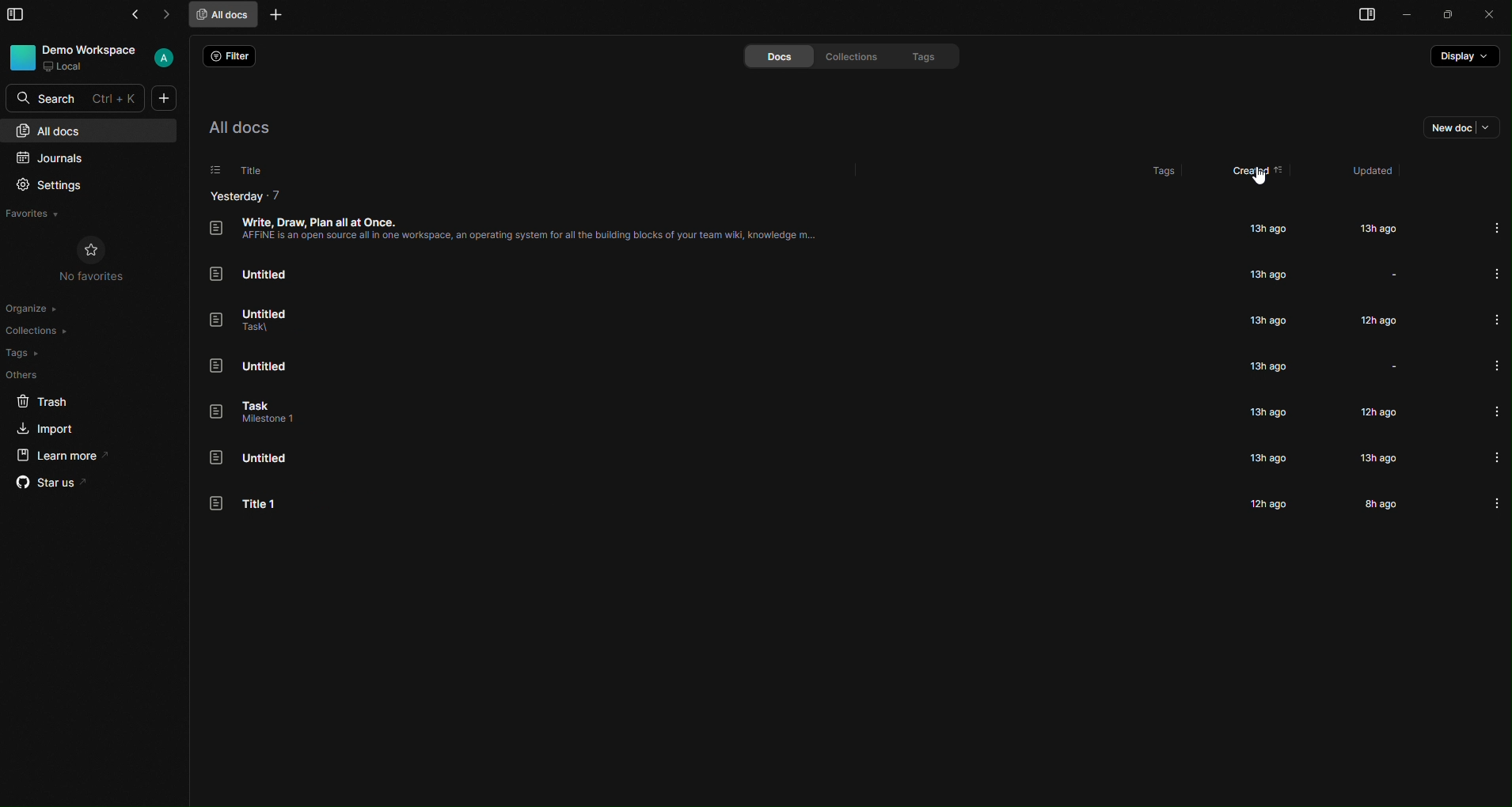 This screenshot has height=807, width=1512. What do you see at coordinates (1270, 320) in the screenshot?
I see `13h ago` at bounding box center [1270, 320].